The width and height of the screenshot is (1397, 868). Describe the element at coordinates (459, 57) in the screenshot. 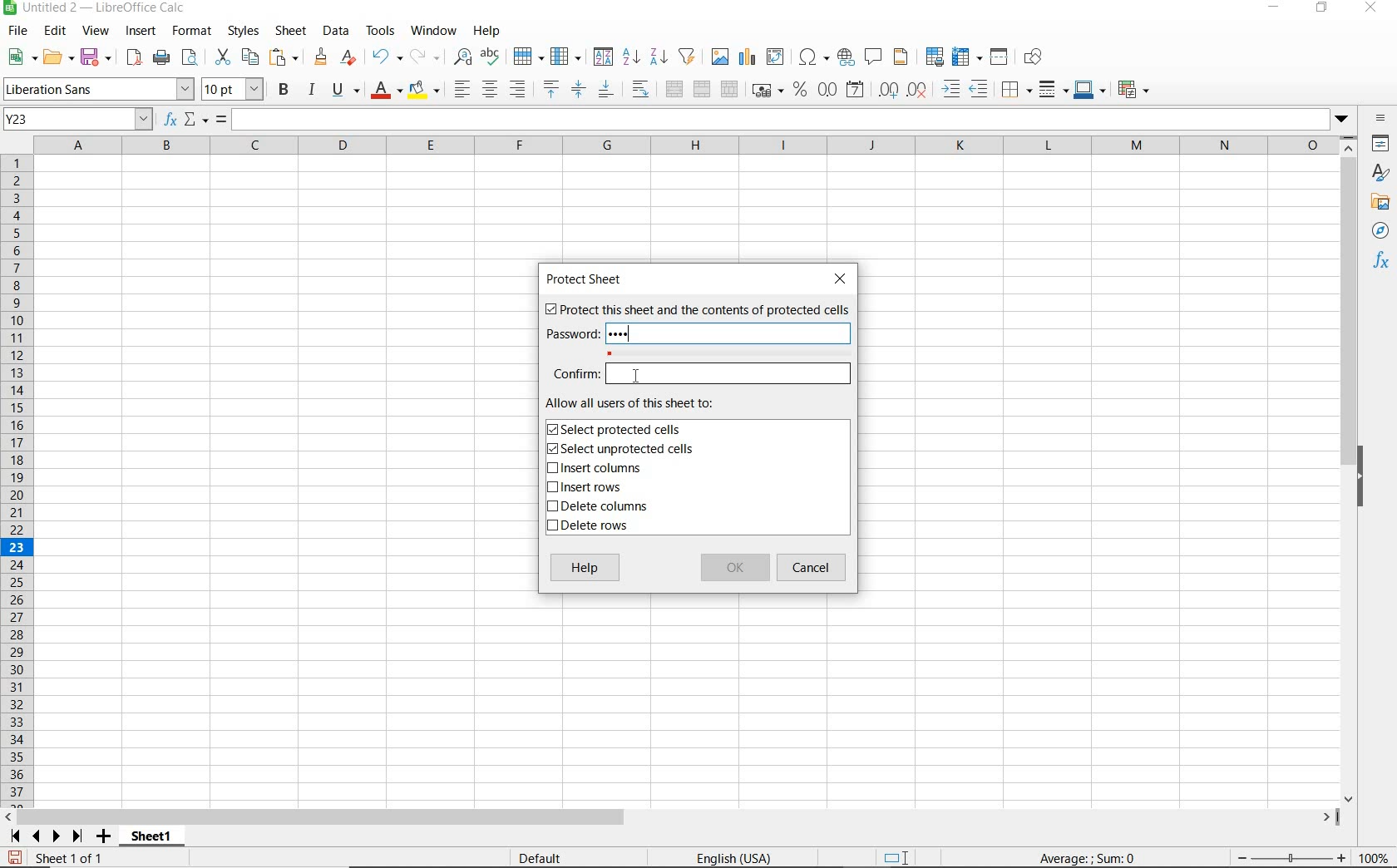

I see `FIND AND REPLACE` at that location.